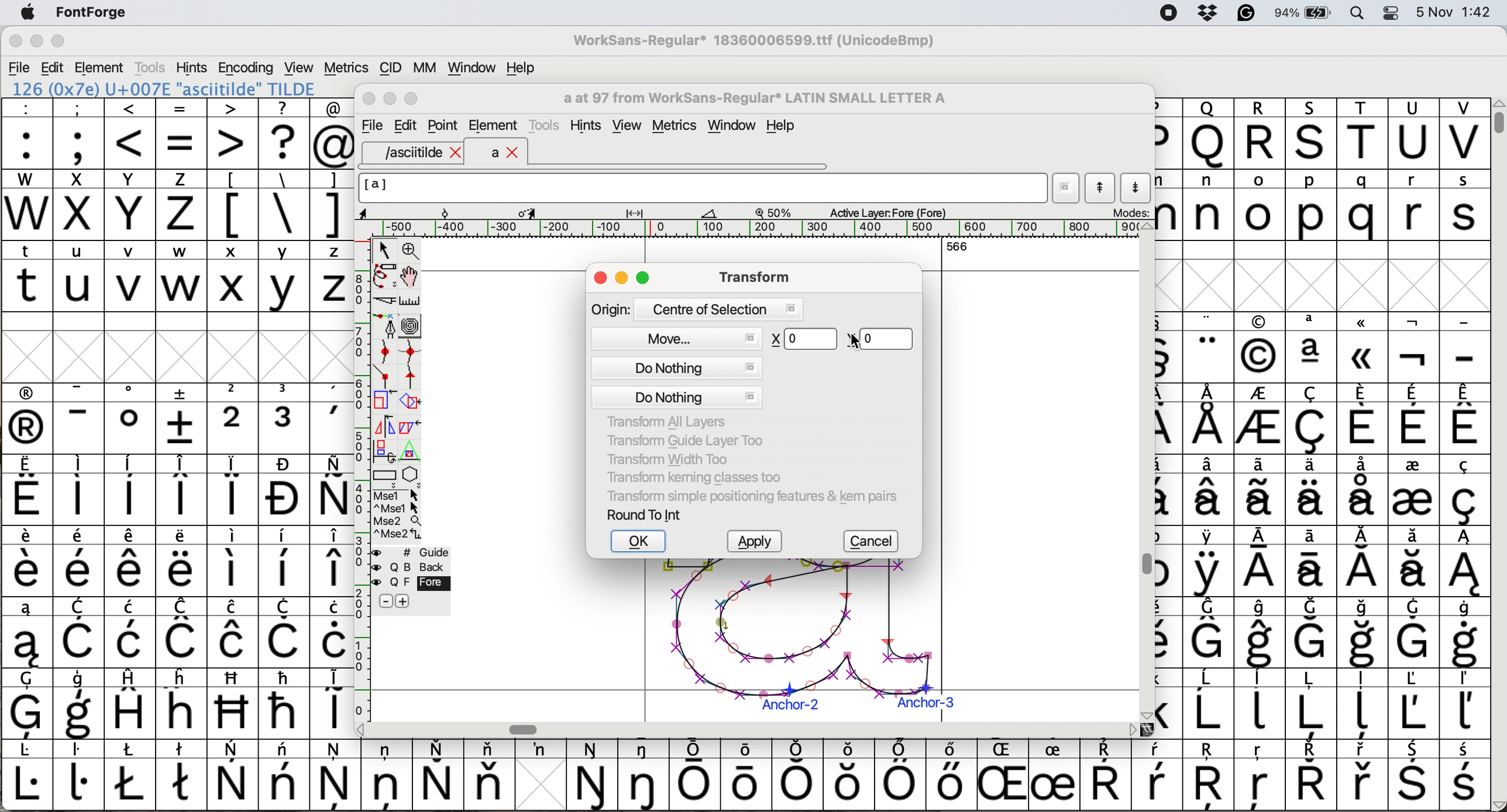 This screenshot has width=1507, height=812. I want to click on window, so click(469, 68).